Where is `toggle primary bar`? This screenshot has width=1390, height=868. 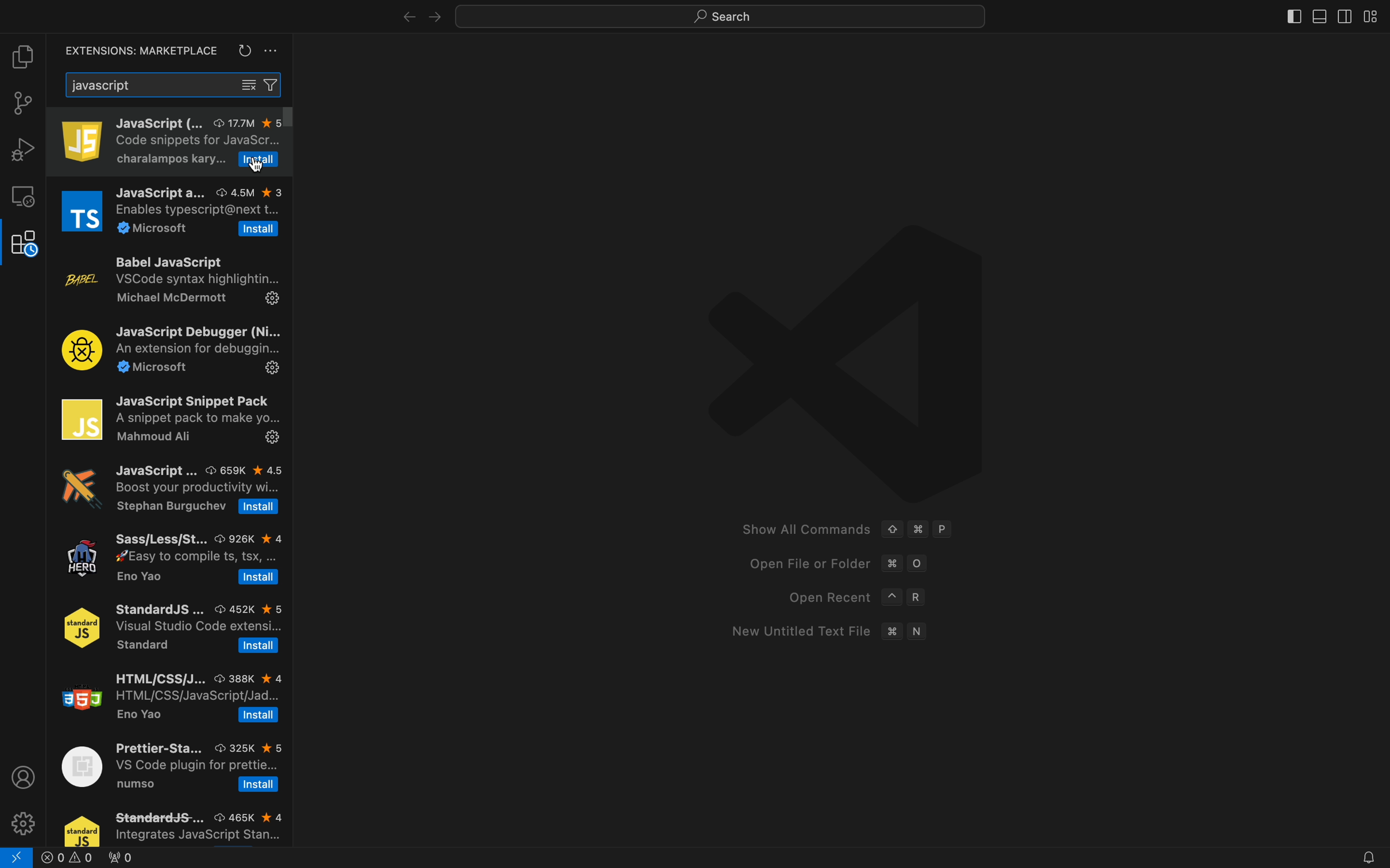 toggle primary bar is located at coordinates (1316, 14).